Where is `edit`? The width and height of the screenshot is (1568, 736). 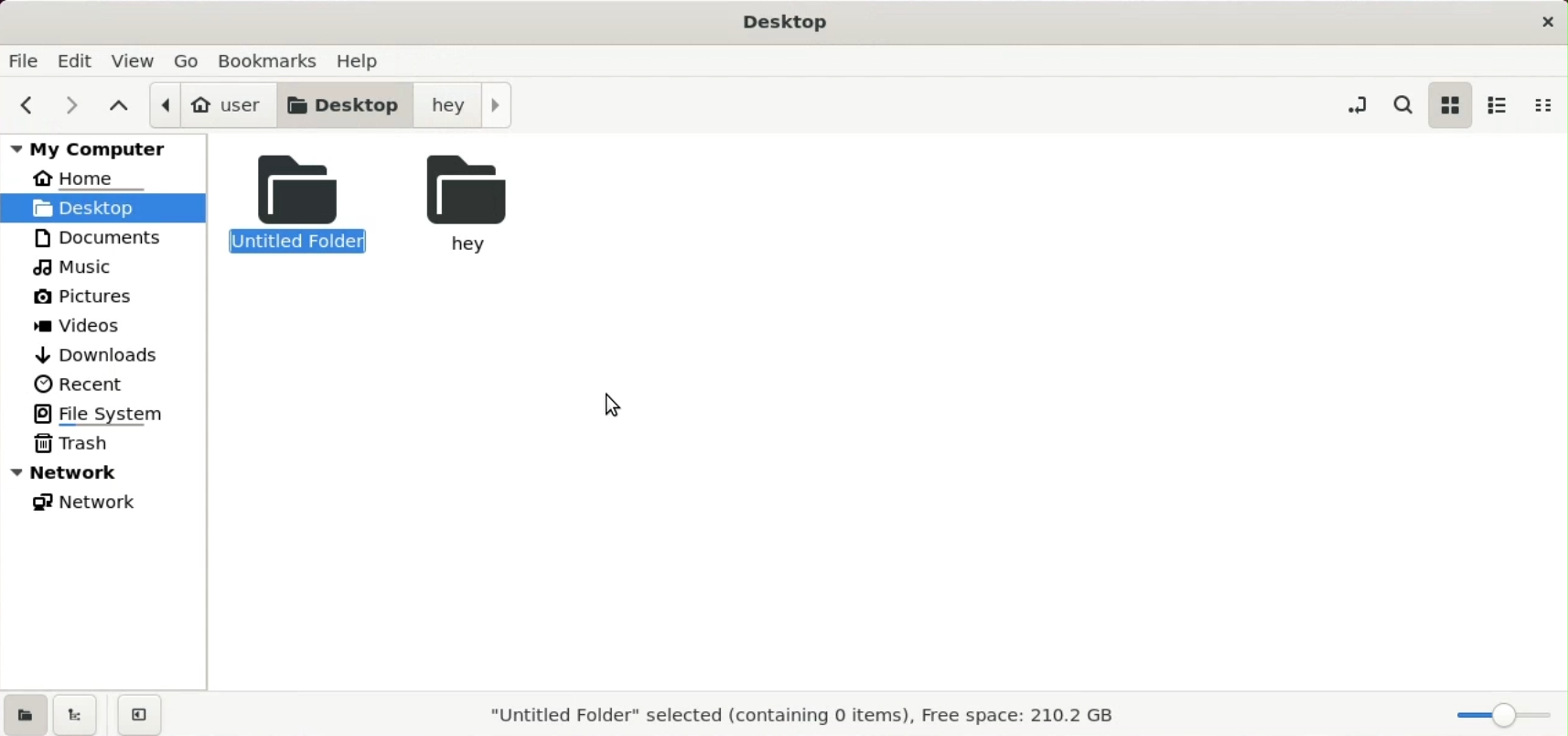
edit is located at coordinates (79, 60).